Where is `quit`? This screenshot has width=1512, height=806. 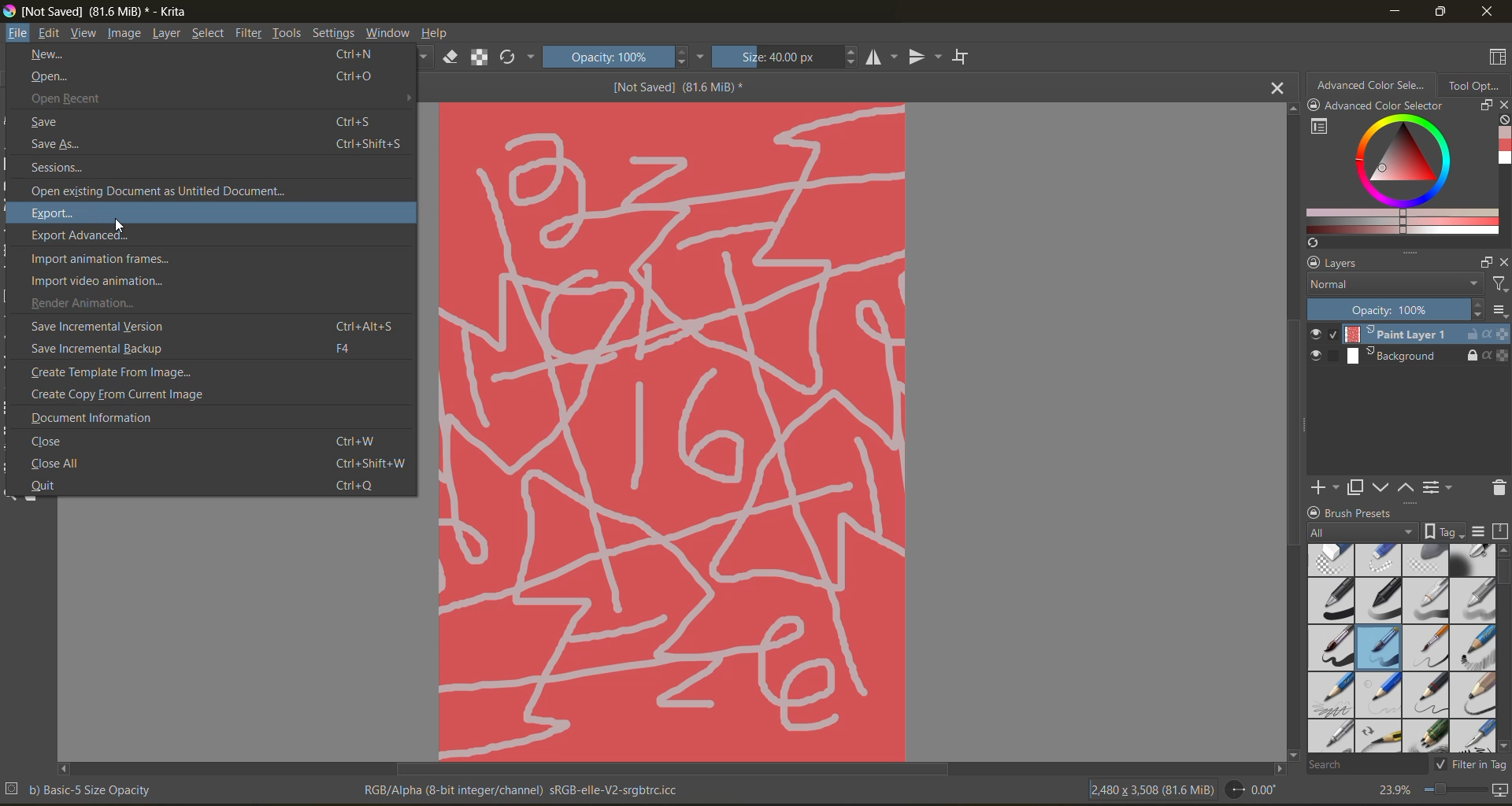 quit is located at coordinates (210, 486).